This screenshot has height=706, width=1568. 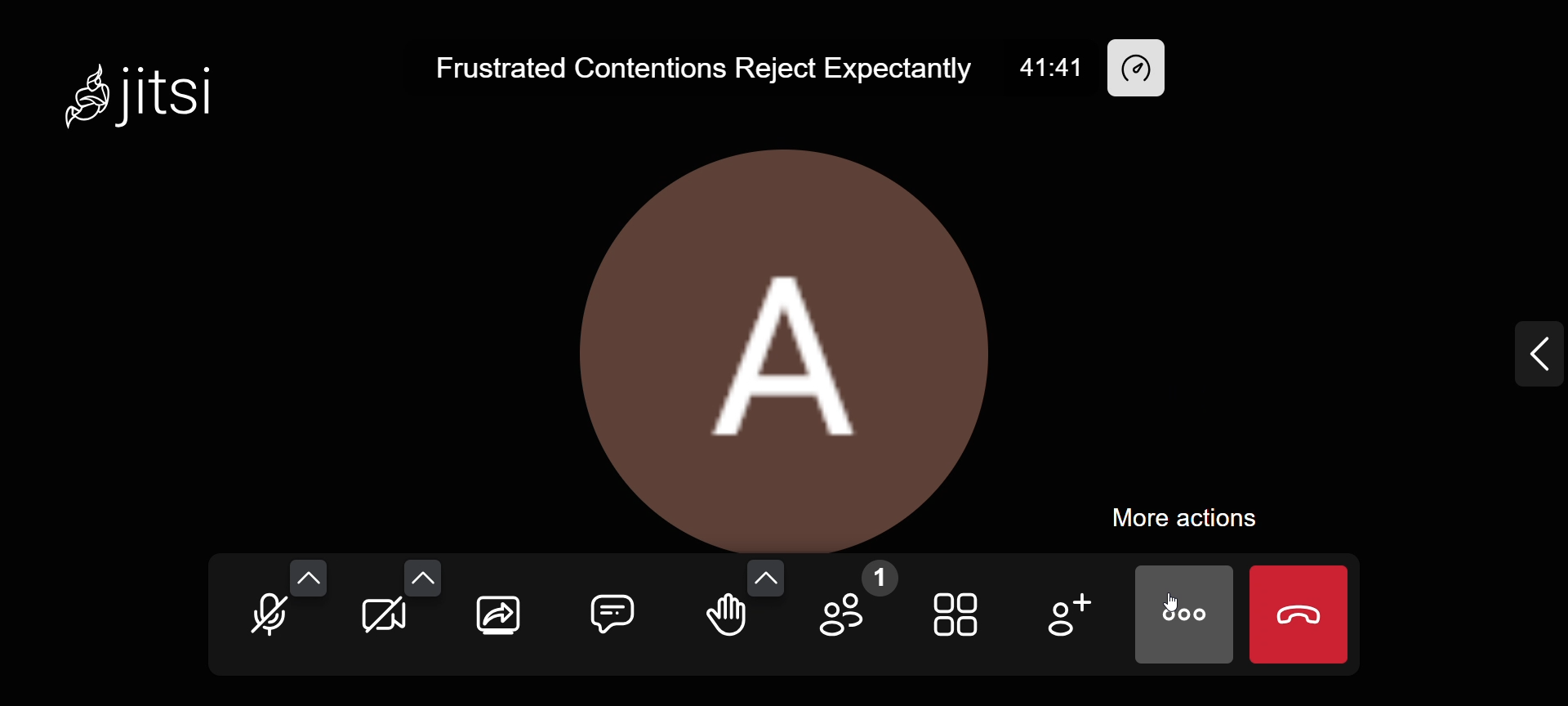 What do you see at coordinates (710, 69) in the screenshot?
I see `Frustrated Contentions Reject Expectantly` at bounding box center [710, 69].